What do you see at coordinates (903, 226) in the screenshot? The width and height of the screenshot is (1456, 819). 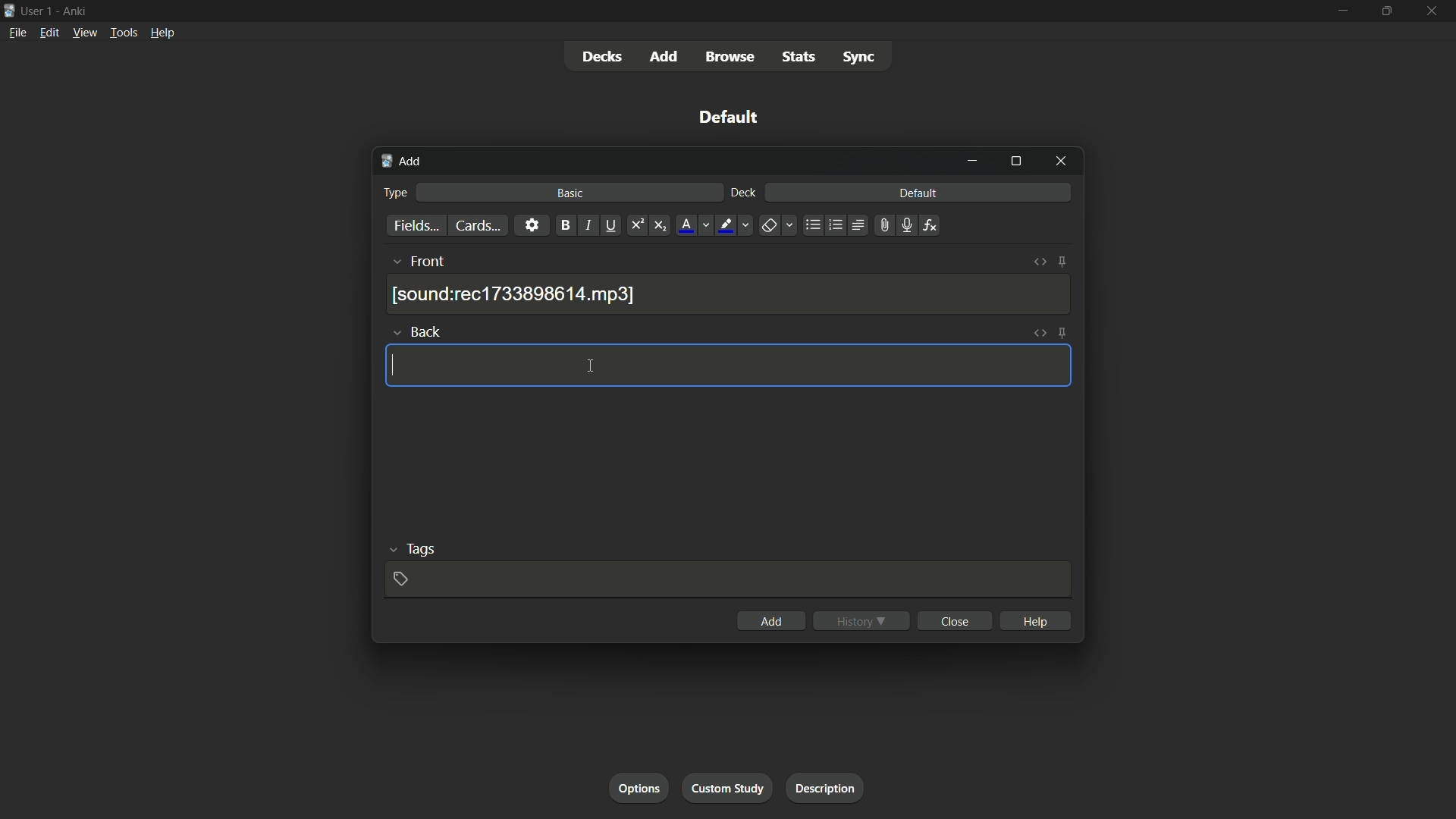 I see `record audio` at bounding box center [903, 226].